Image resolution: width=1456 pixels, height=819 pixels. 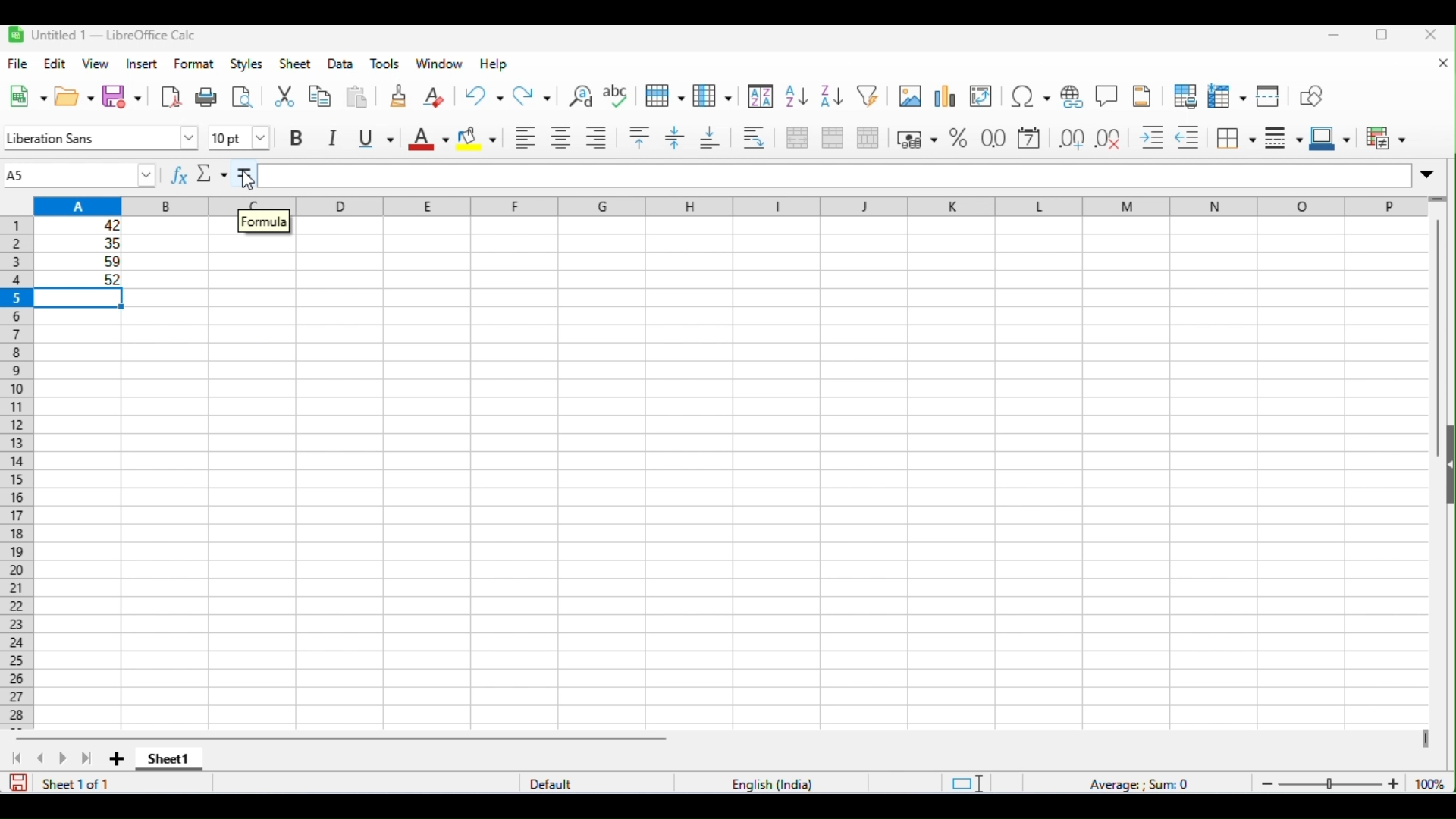 I want to click on previous sheet, so click(x=42, y=758).